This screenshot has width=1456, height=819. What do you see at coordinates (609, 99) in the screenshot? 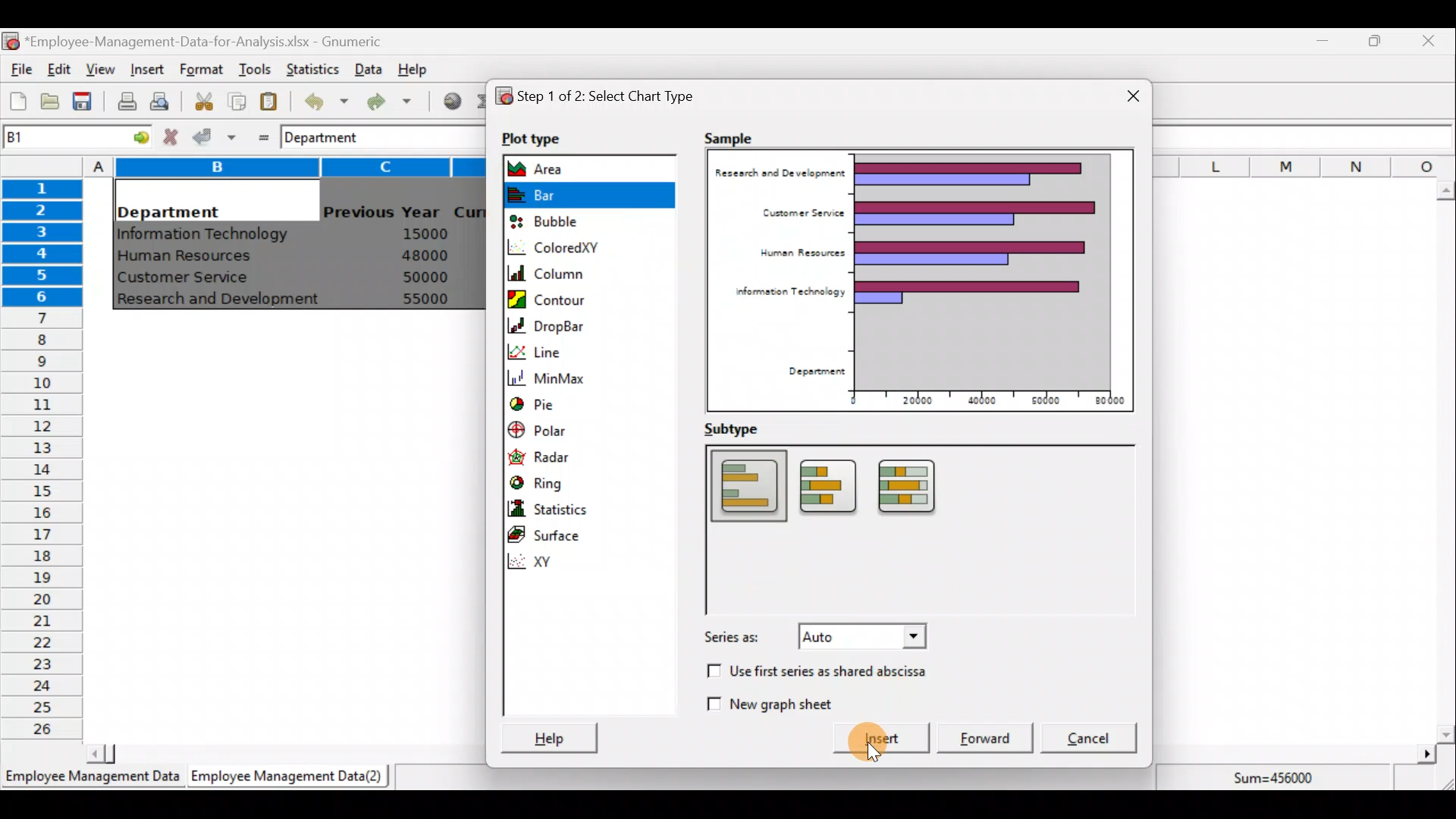
I see `Step 1 of 2: Select chart type` at bounding box center [609, 99].